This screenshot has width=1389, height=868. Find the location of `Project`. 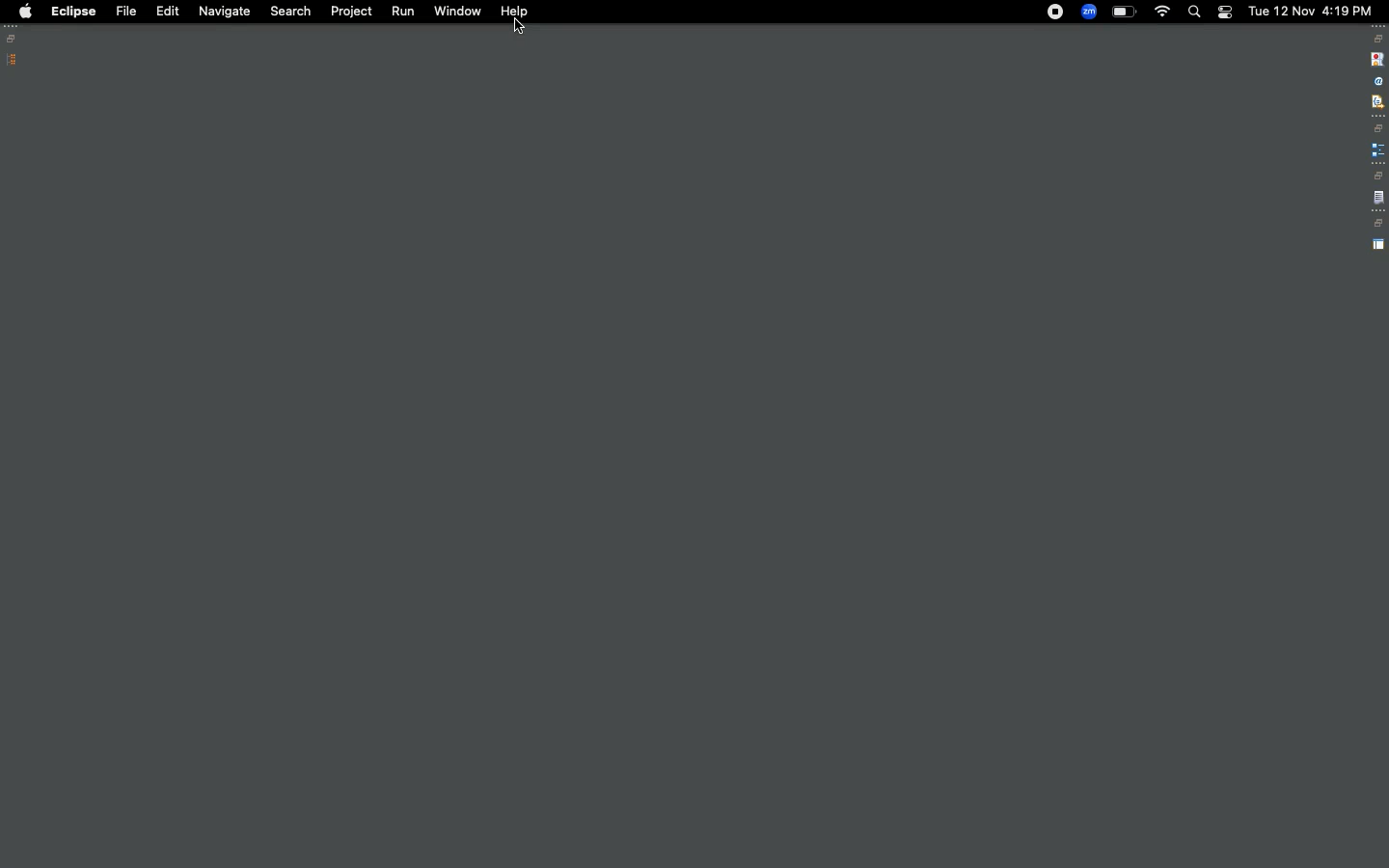

Project is located at coordinates (352, 12).